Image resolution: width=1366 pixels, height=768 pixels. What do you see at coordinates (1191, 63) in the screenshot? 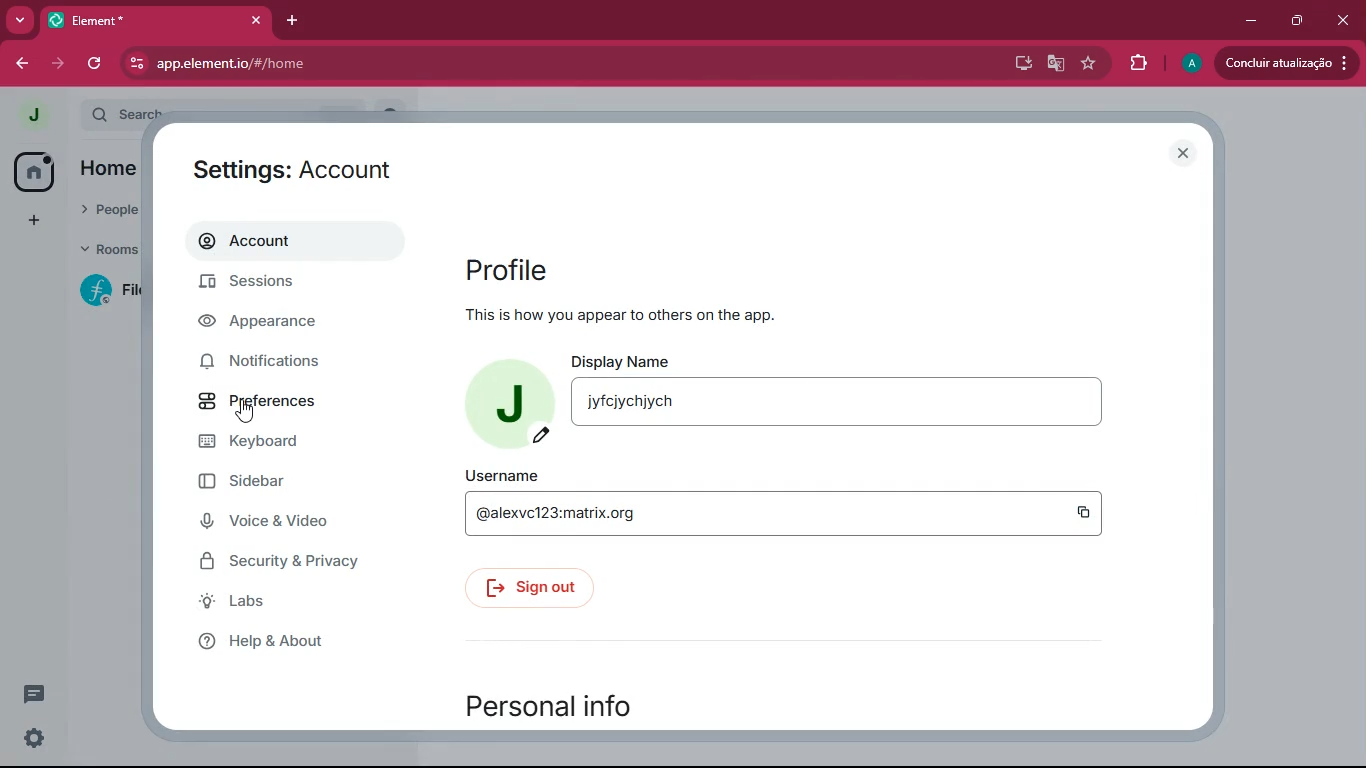
I see `a` at bounding box center [1191, 63].